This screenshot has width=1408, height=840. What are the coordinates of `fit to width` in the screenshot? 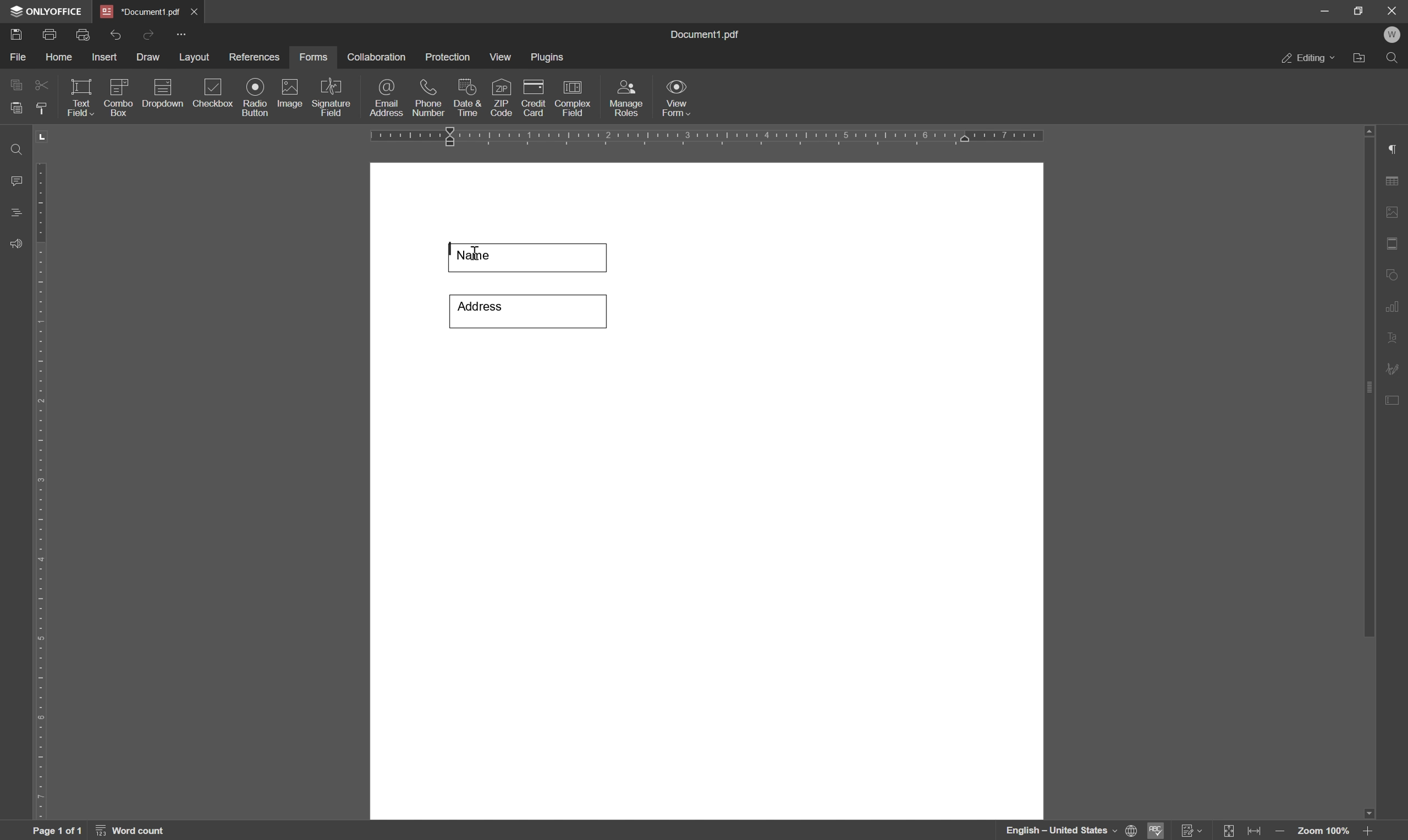 It's located at (1257, 832).